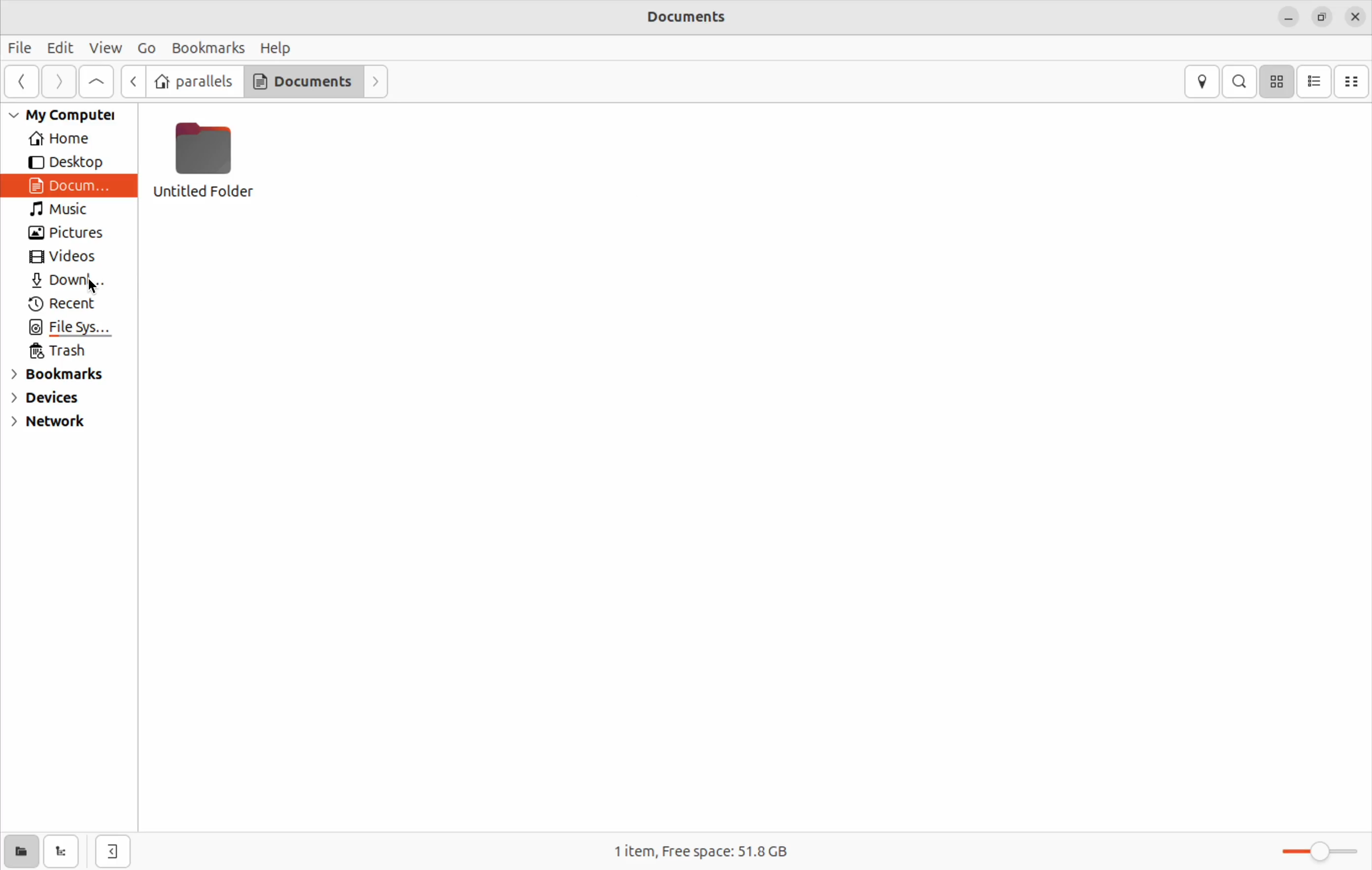  I want to click on view, so click(104, 47).